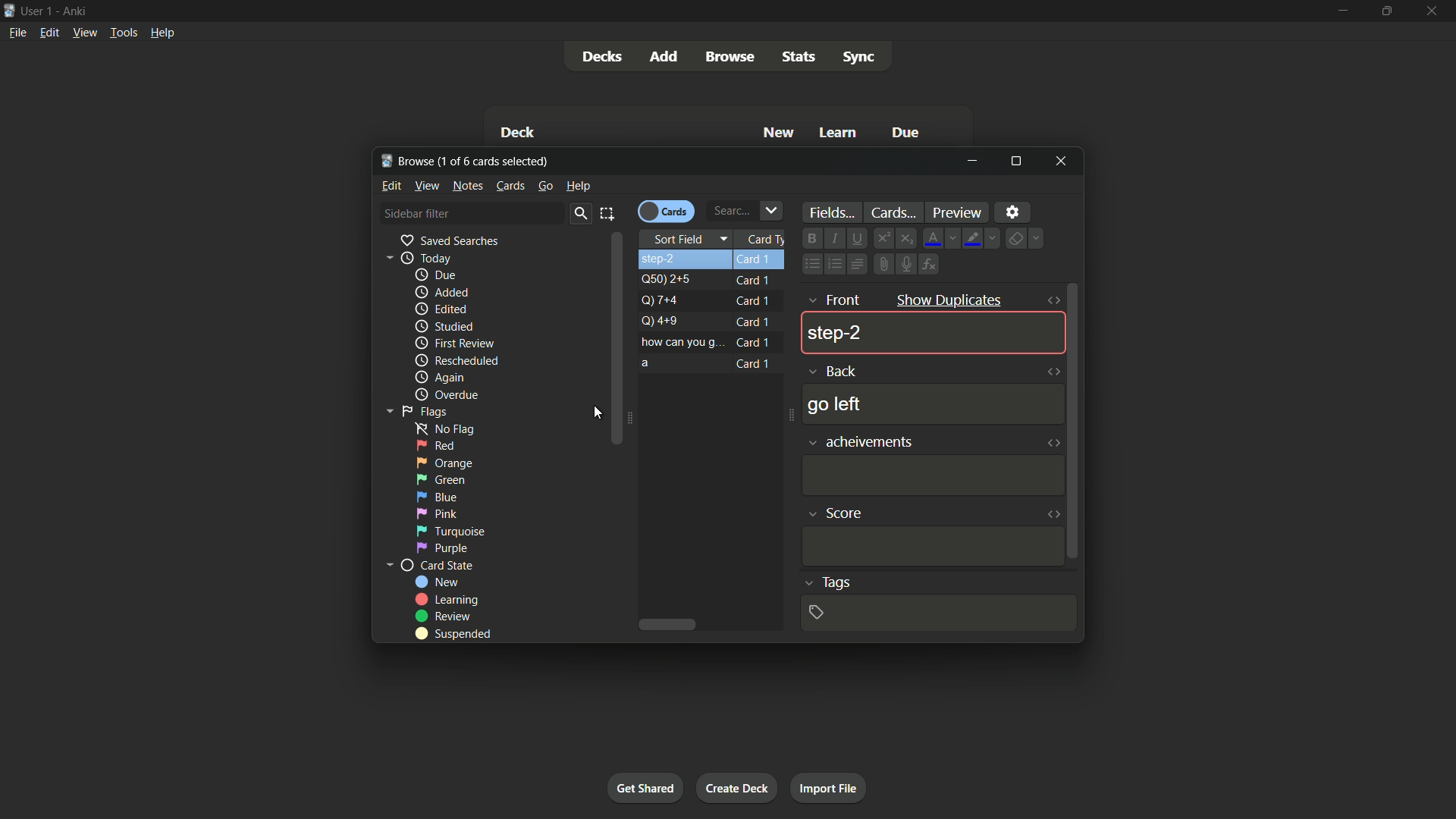  Describe the element at coordinates (447, 600) in the screenshot. I see `Learning` at that location.